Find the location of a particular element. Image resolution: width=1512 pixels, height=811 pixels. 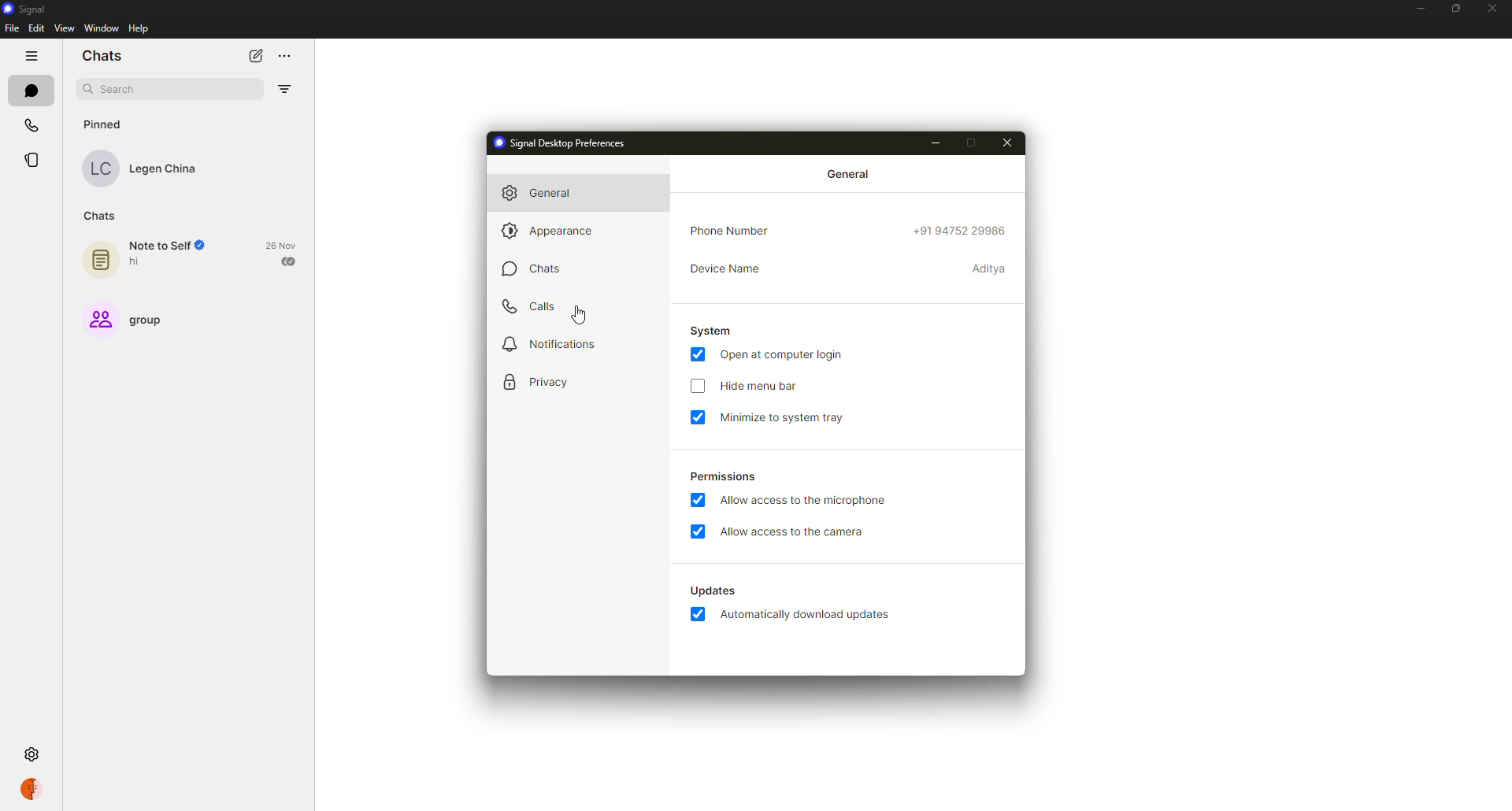

general is located at coordinates (850, 172).